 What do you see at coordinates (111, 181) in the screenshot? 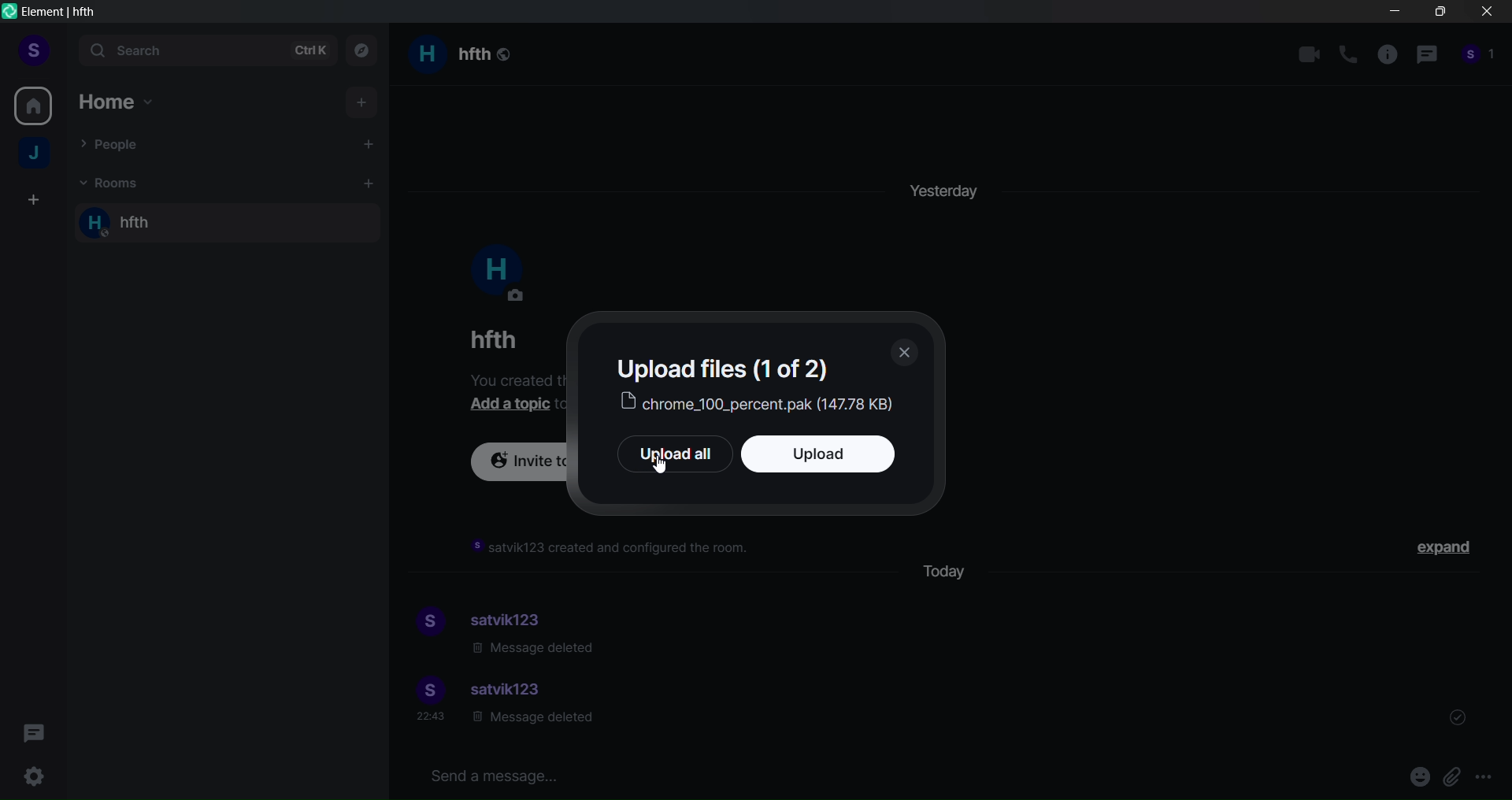
I see `rooms` at bounding box center [111, 181].